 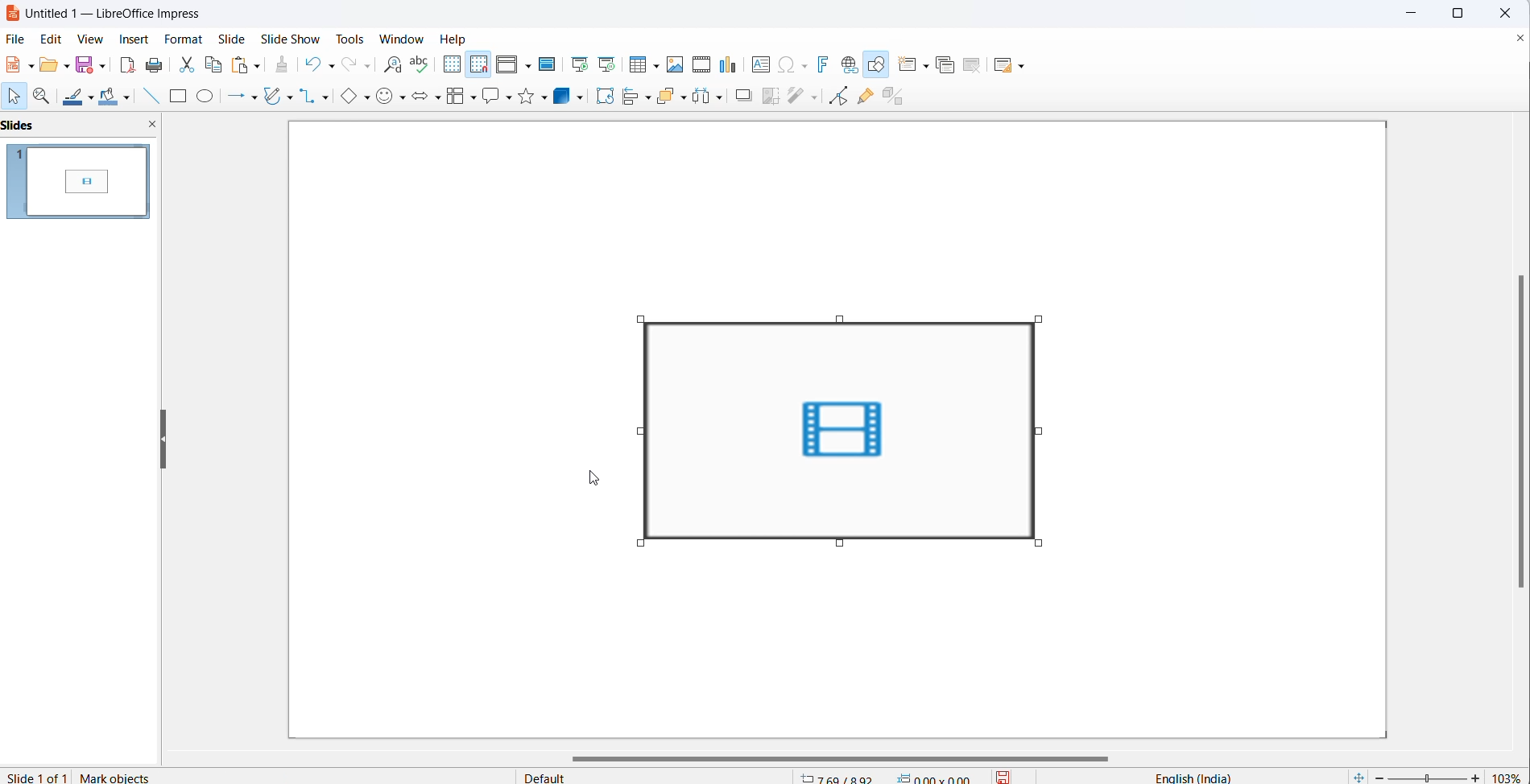 I want to click on insert table, so click(x=636, y=65).